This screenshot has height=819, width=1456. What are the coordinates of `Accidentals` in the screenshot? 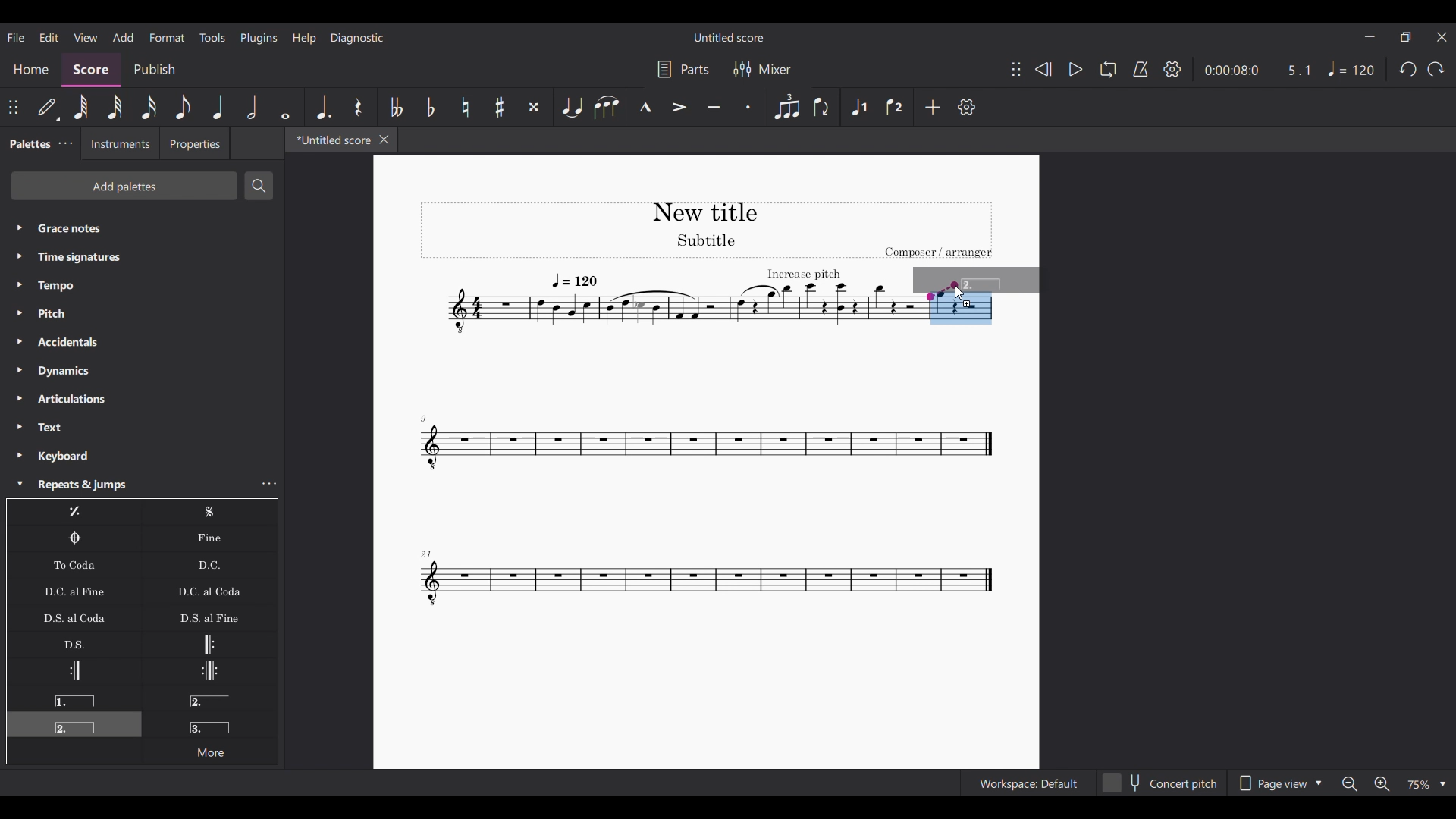 It's located at (142, 342).